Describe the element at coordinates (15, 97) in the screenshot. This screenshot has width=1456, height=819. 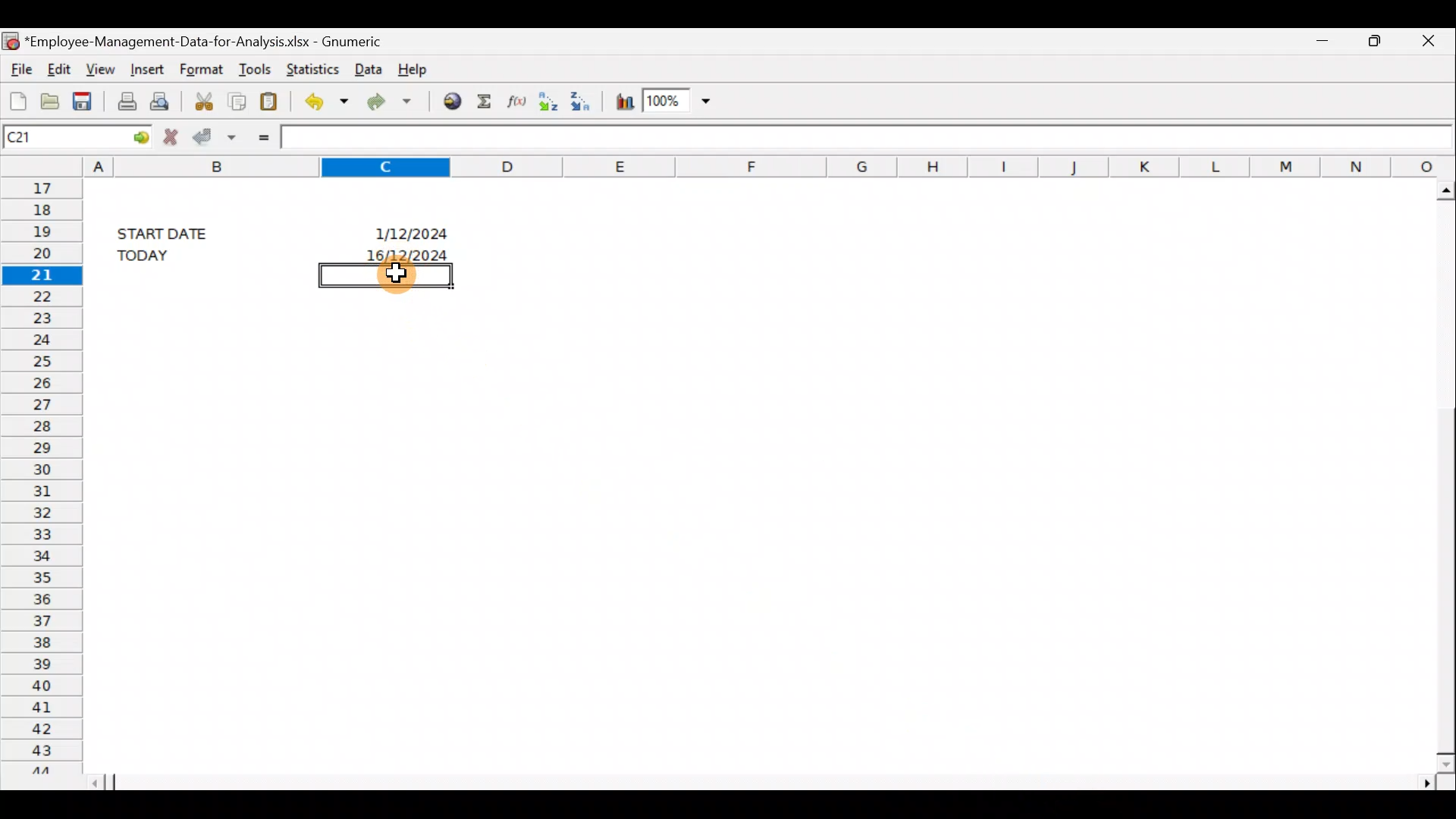
I see `Create a new workbook` at that location.